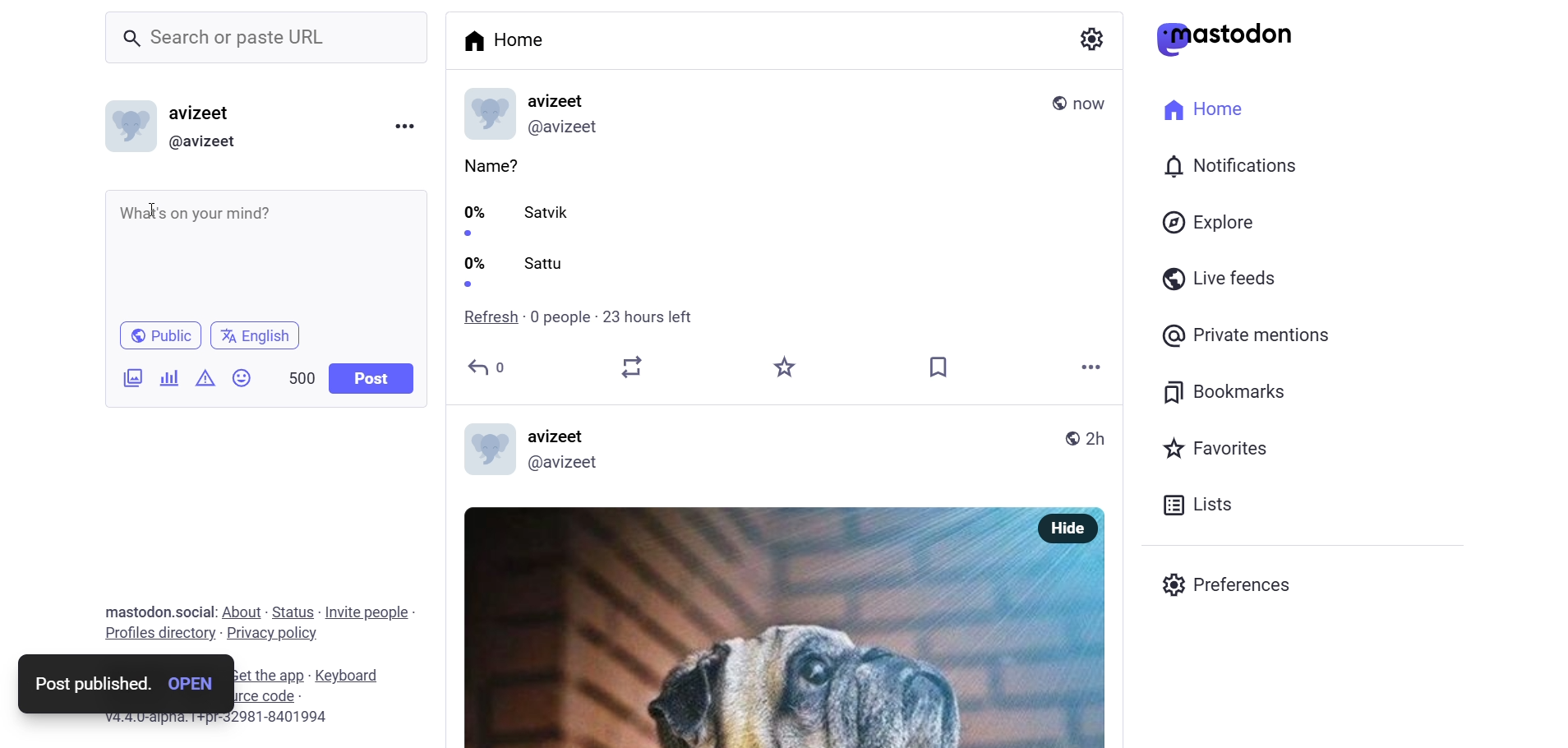 This screenshot has width=1568, height=748. What do you see at coordinates (1090, 39) in the screenshot?
I see `setting` at bounding box center [1090, 39].